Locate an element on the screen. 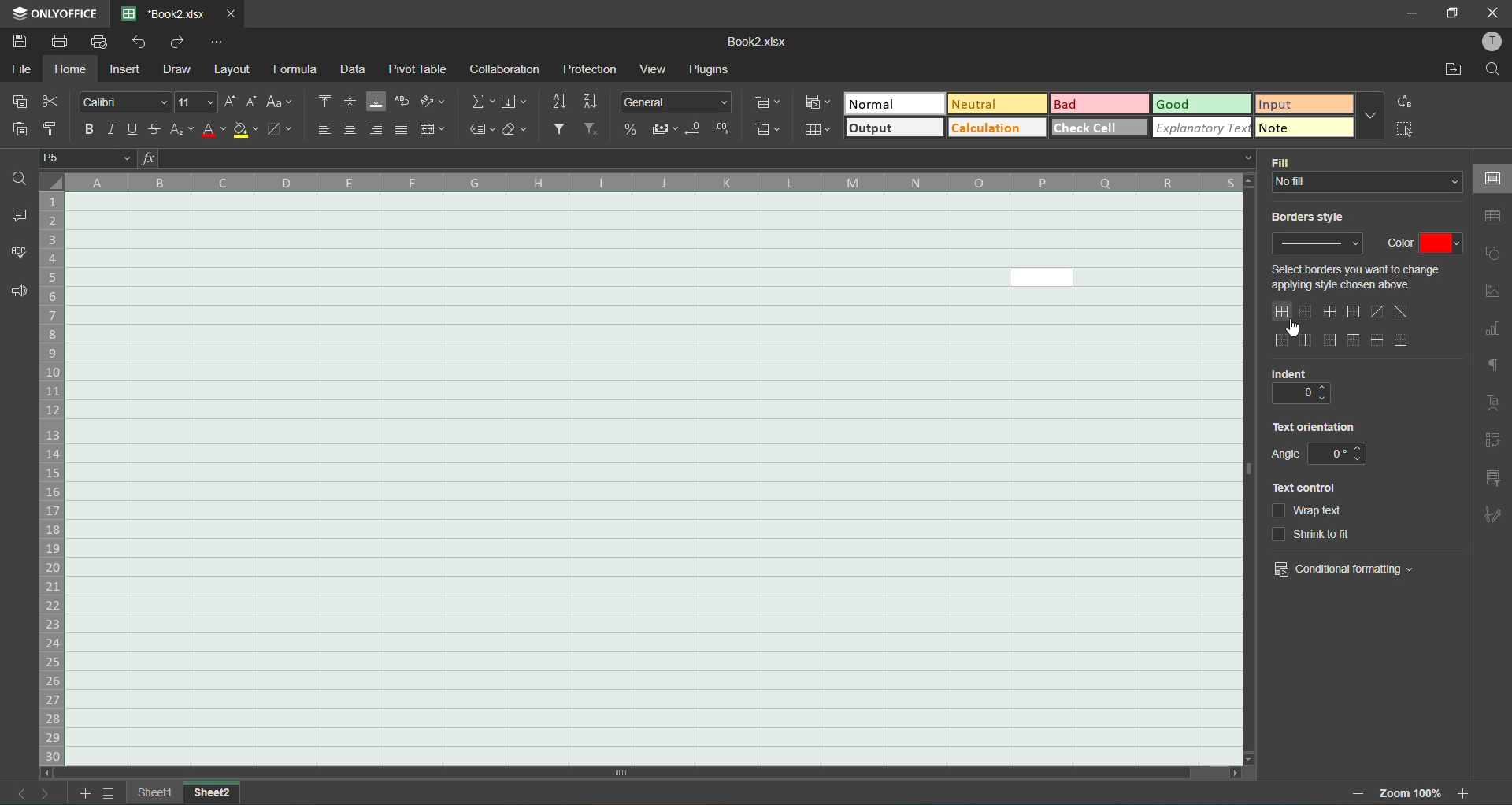 The width and height of the screenshot is (1512, 805). underline is located at coordinates (132, 128).